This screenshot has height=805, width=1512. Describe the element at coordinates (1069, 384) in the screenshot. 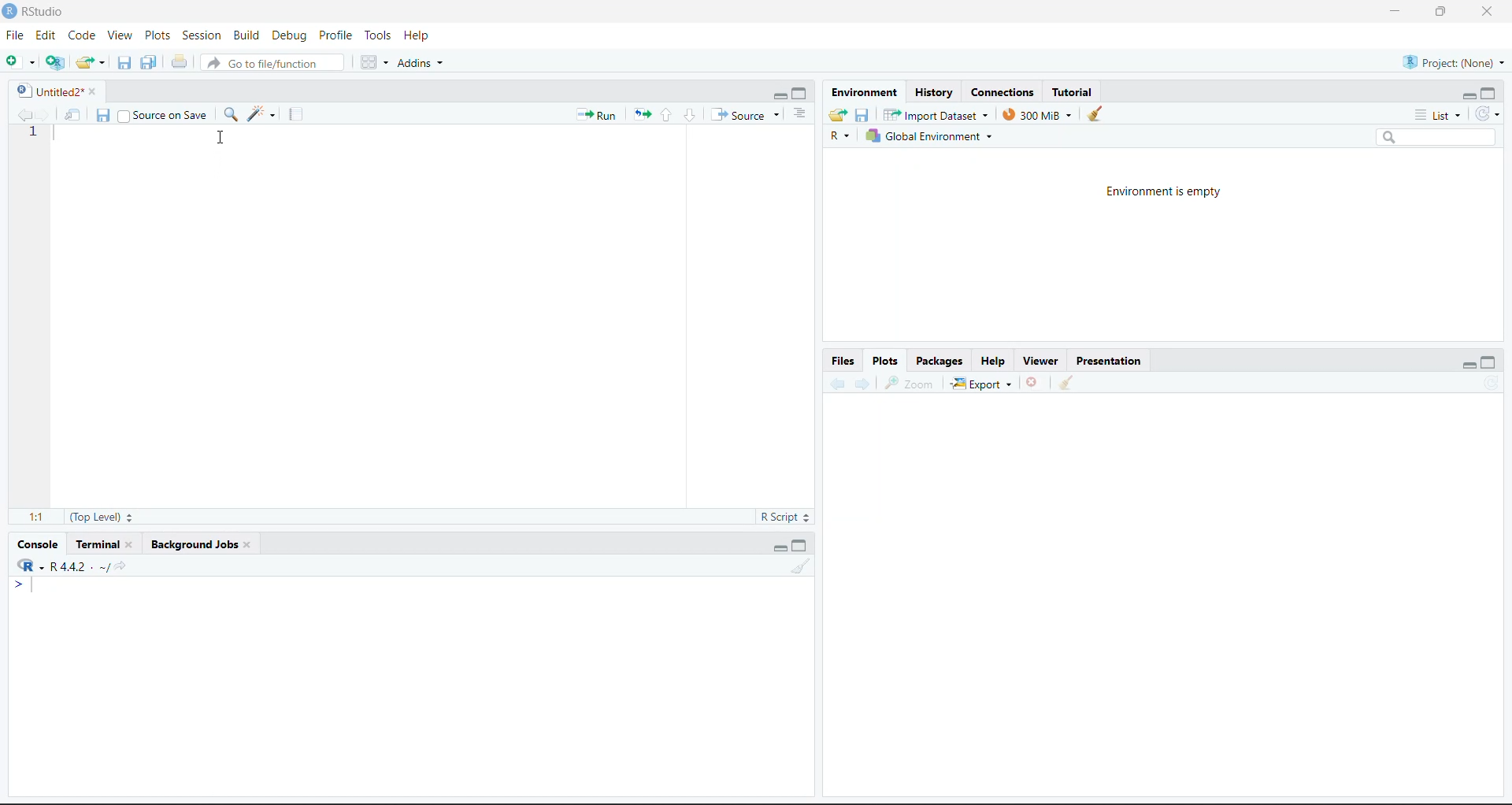

I see `clear all plots` at that location.